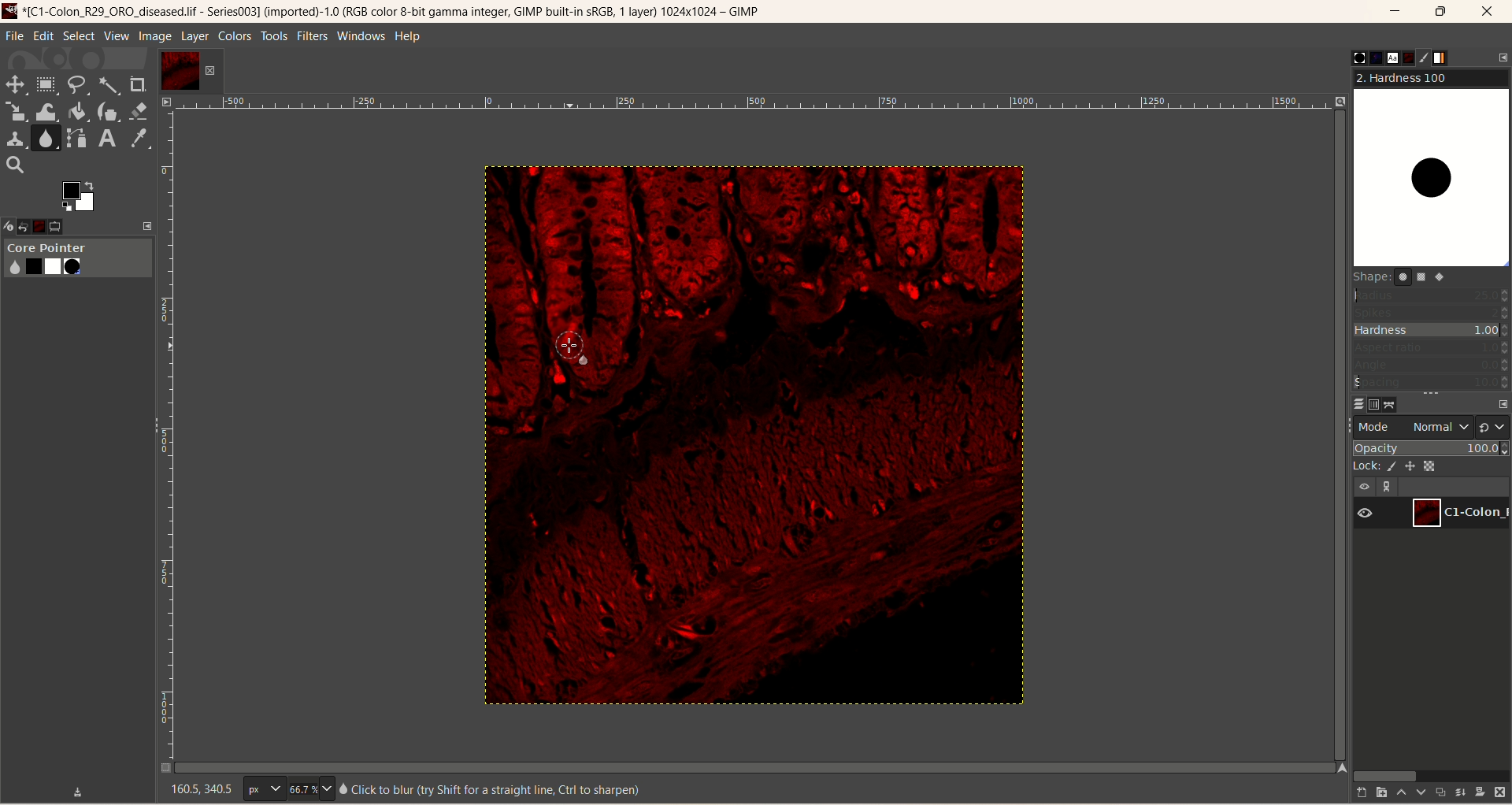 This screenshot has width=1512, height=805. What do you see at coordinates (1370, 513) in the screenshot?
I see `visibility` at bounding box center [1370, 513].